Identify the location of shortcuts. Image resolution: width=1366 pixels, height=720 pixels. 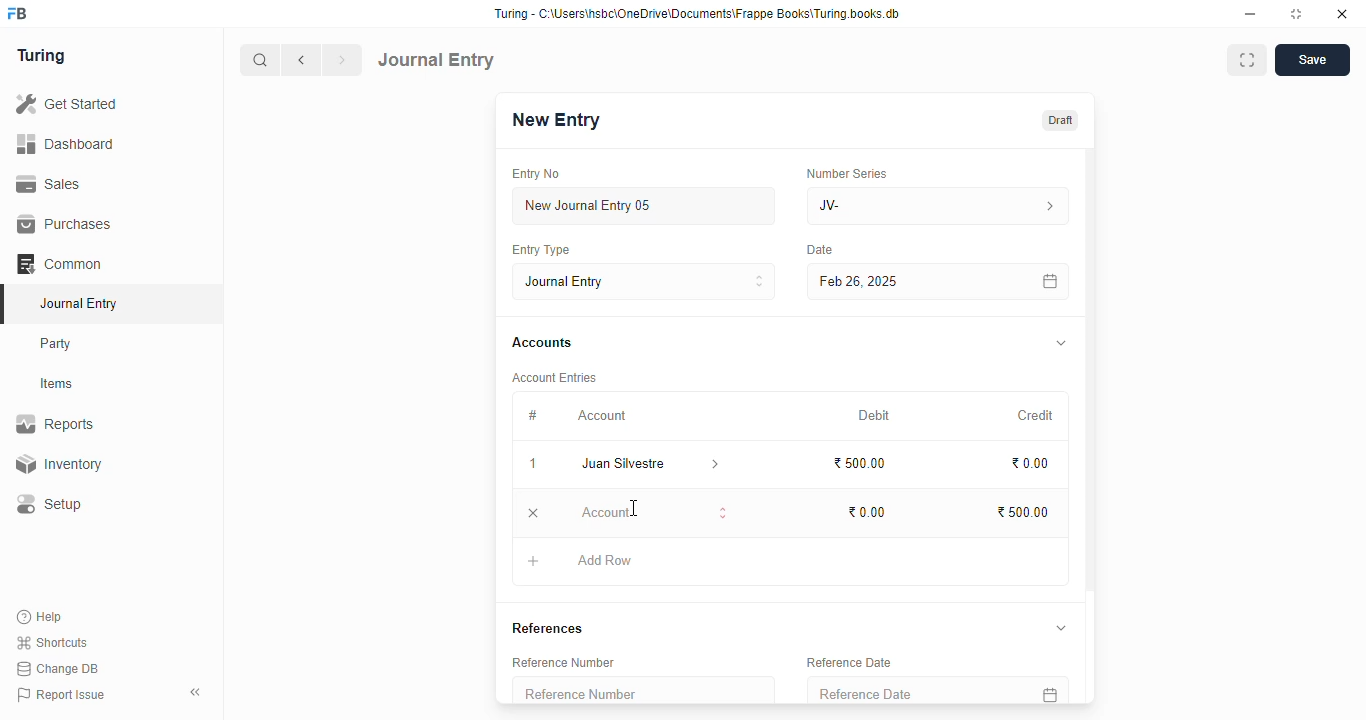
(52, 643).